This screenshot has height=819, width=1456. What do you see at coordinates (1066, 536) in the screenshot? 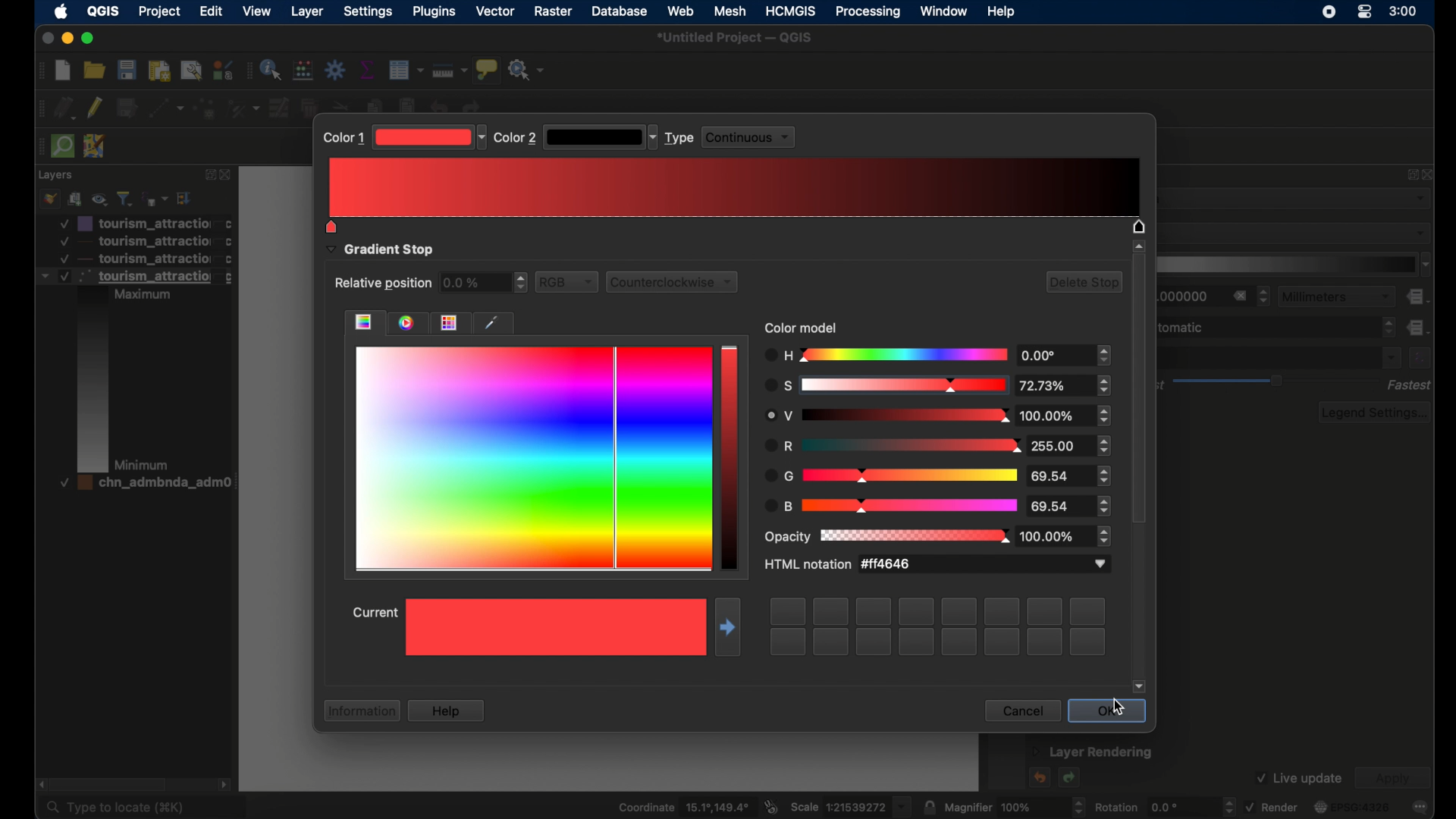
I see `100.00%` at bounding box center [1066, 536].